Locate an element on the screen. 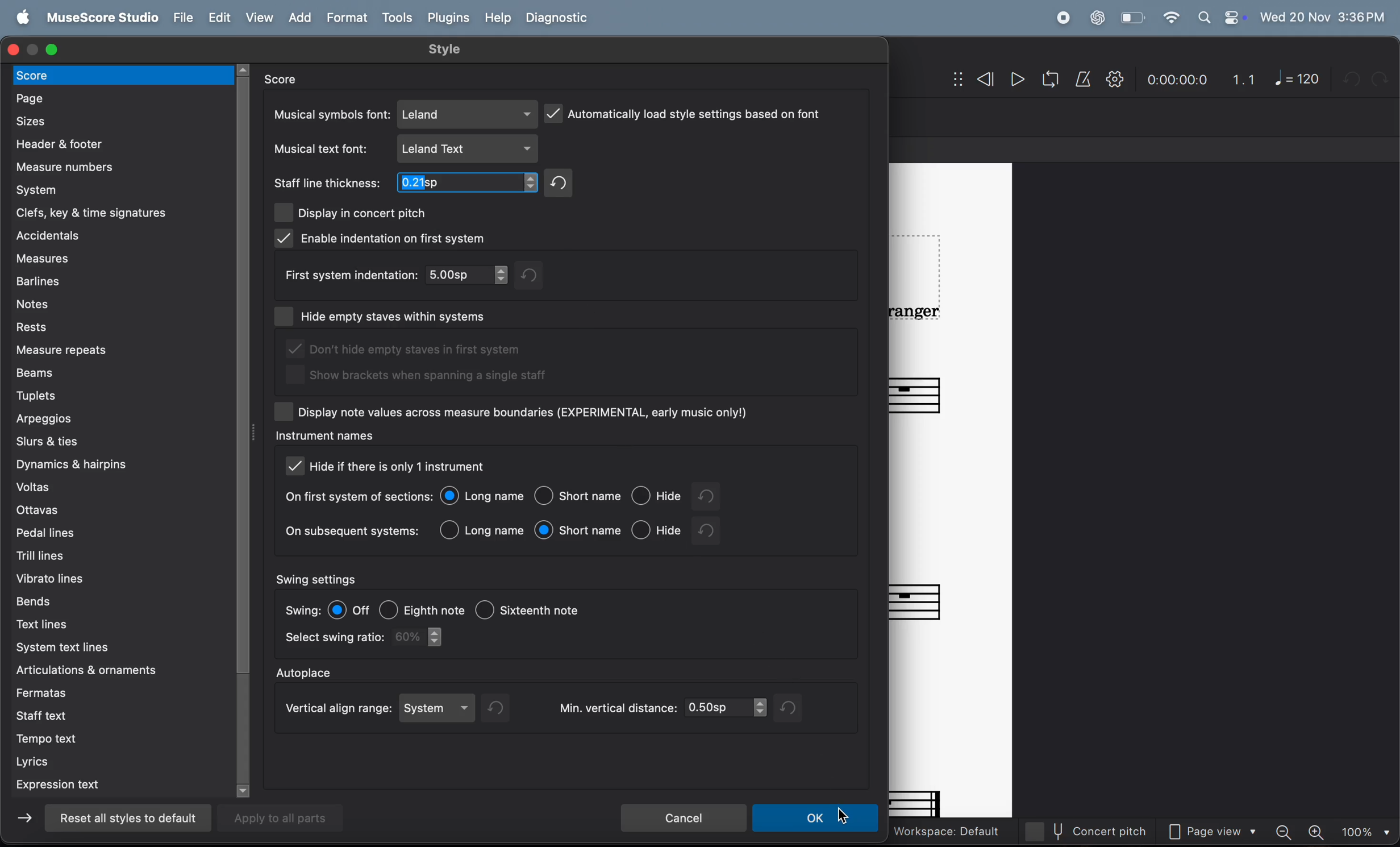 This screenshot has width=1400, height=847. tuplets is located at coordinates (114, 395).